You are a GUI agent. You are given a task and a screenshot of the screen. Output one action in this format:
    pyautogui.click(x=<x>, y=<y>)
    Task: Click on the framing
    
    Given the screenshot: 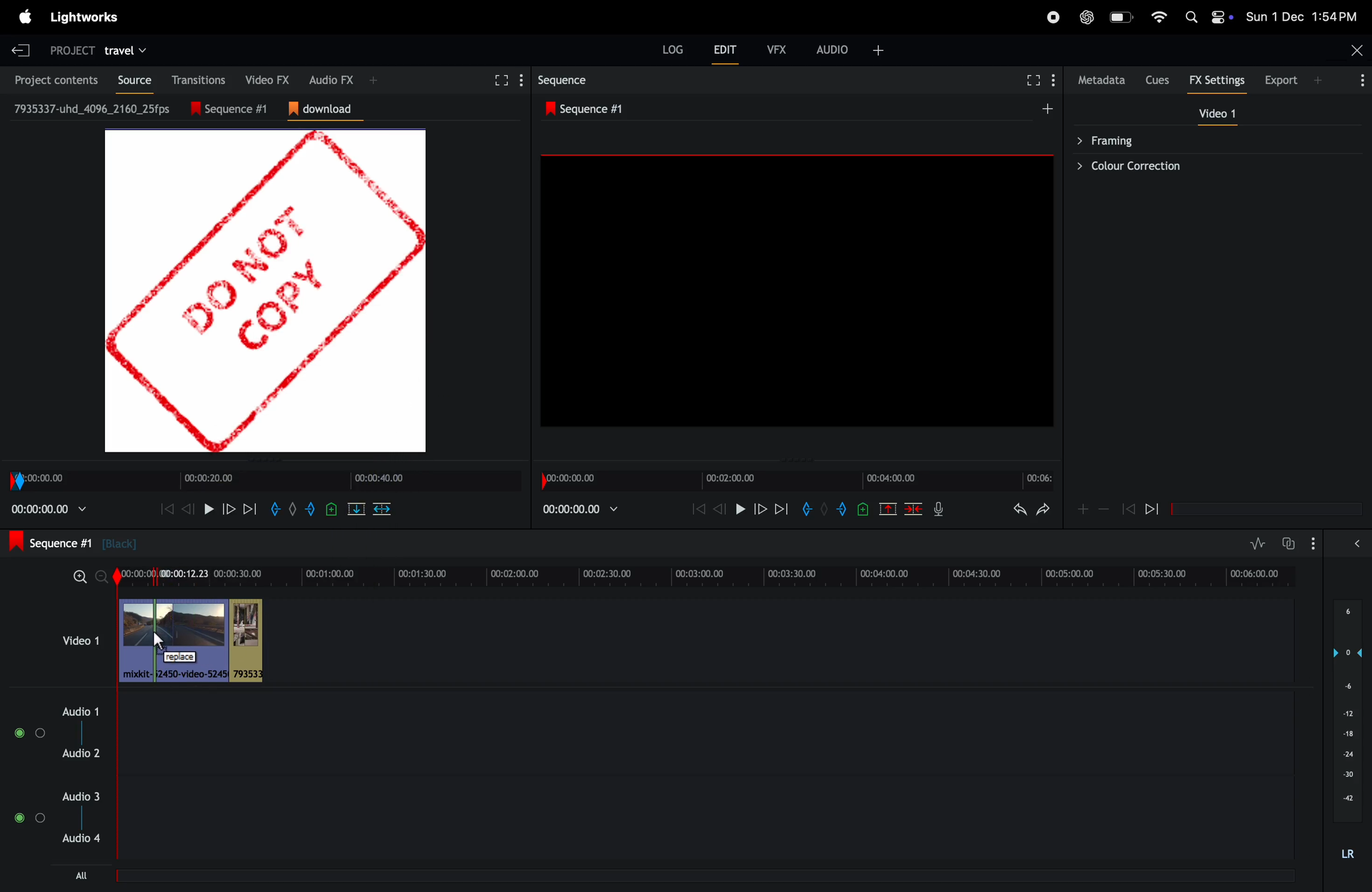 What is the action you would take?
    pyautogui.click(x=1209, y=139)
    